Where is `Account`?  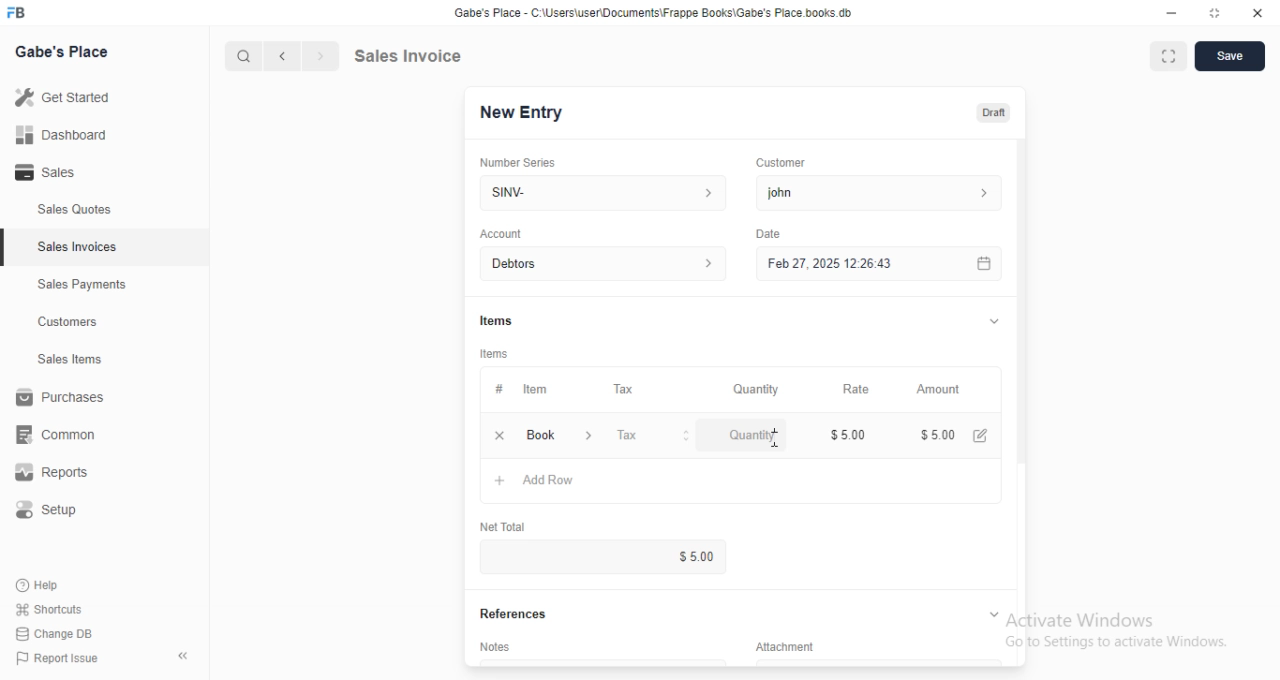 Account is located at coordinates (501, 233).